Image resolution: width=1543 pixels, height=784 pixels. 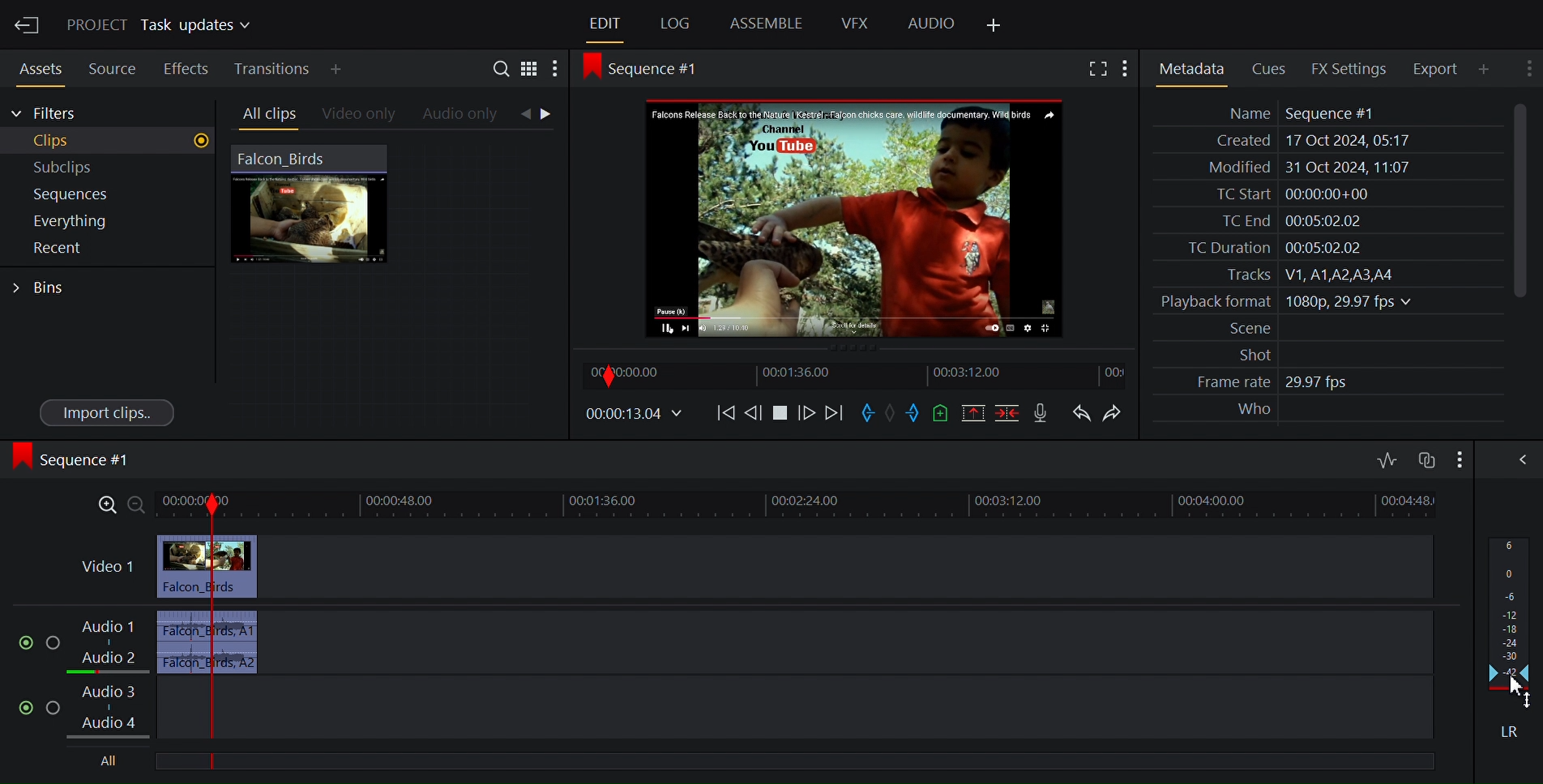 What do you see at coordinates (1263, 248) in the screenshot?
I see `TC Duration  00:05:02.02` at bounding box center [1263, 248].